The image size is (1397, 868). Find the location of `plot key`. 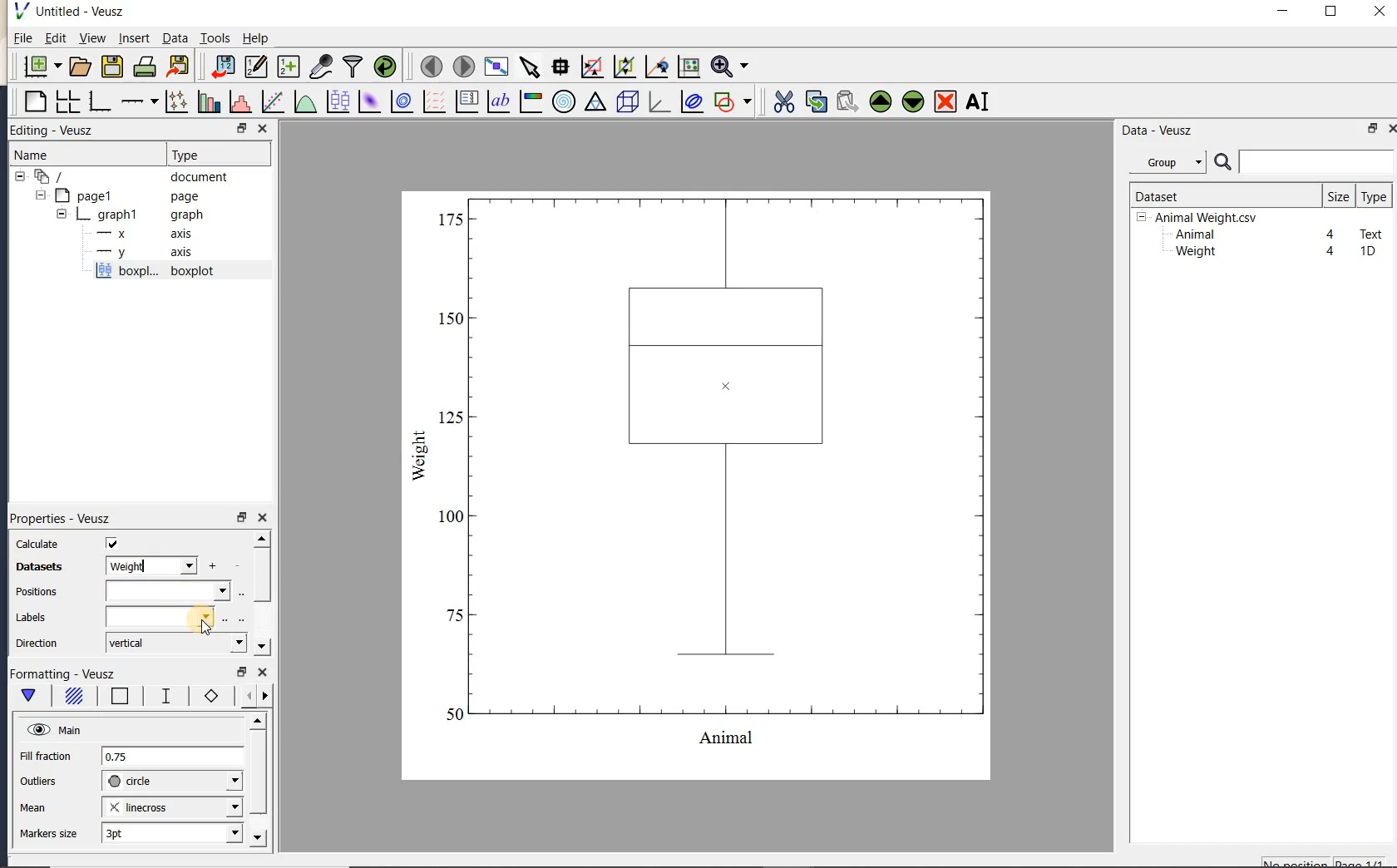

plot key is located at coordinates (465, 101).